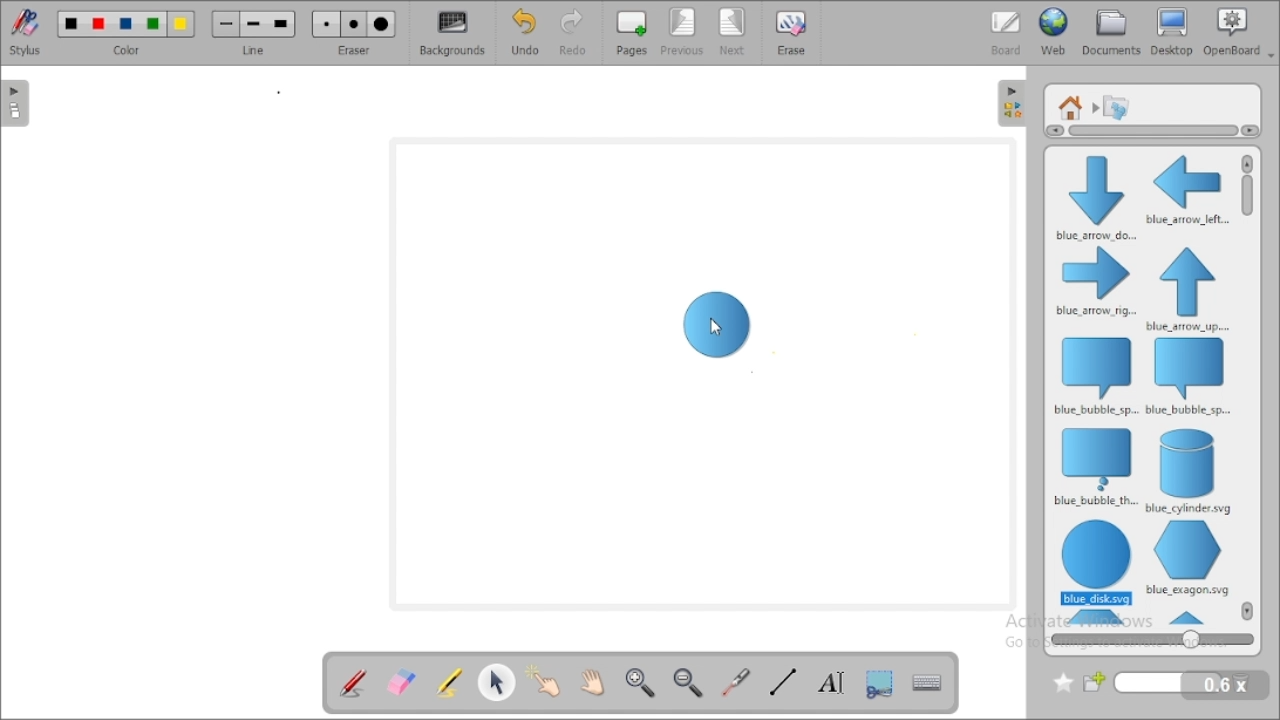  What do you see at coordinates (1187, 189) in the screenshot?
I see `blue arrow left` at bounding box center [1187, 189].